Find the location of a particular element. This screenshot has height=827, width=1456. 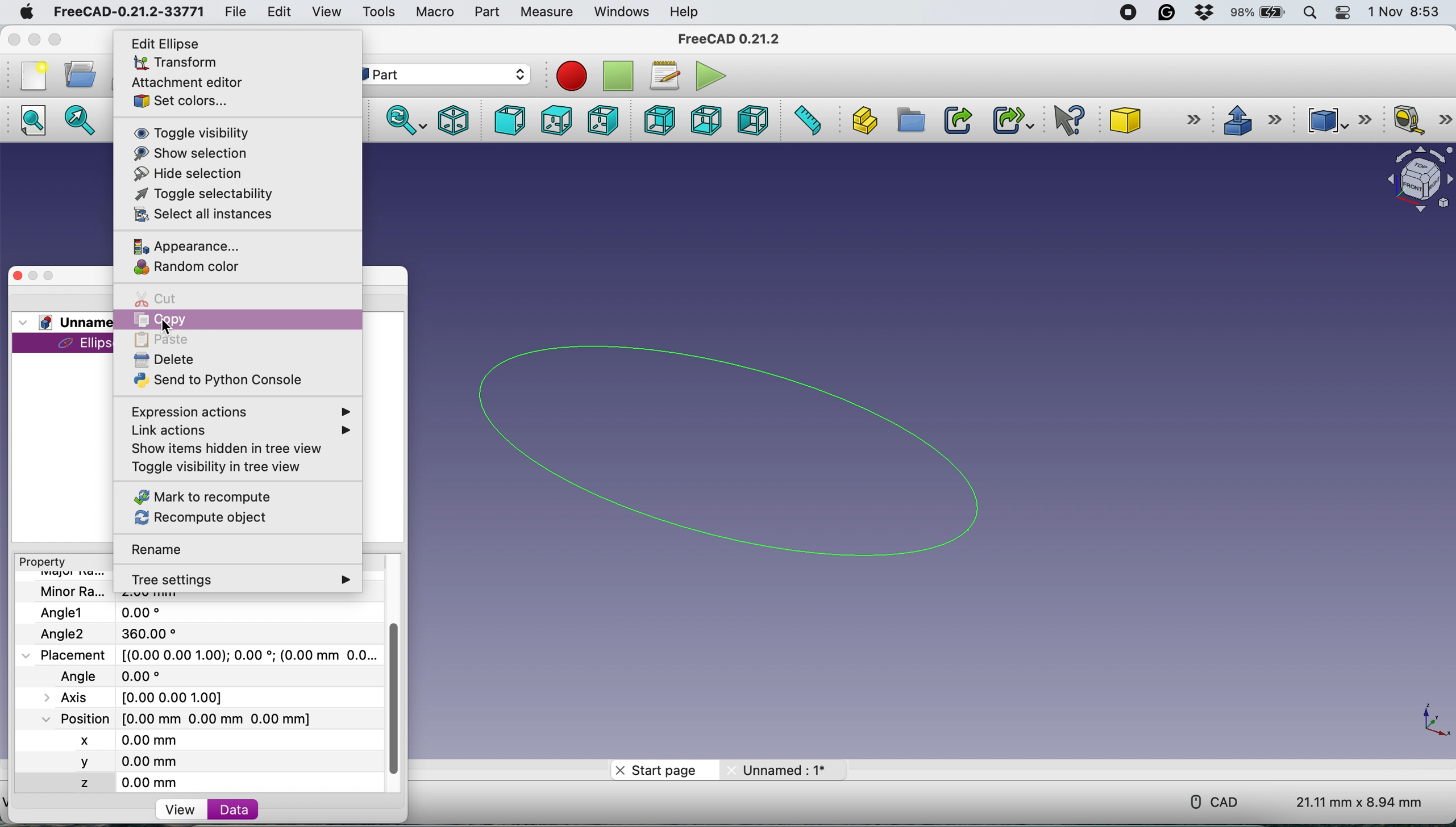

tree settings is located at coordinates (240, 579).